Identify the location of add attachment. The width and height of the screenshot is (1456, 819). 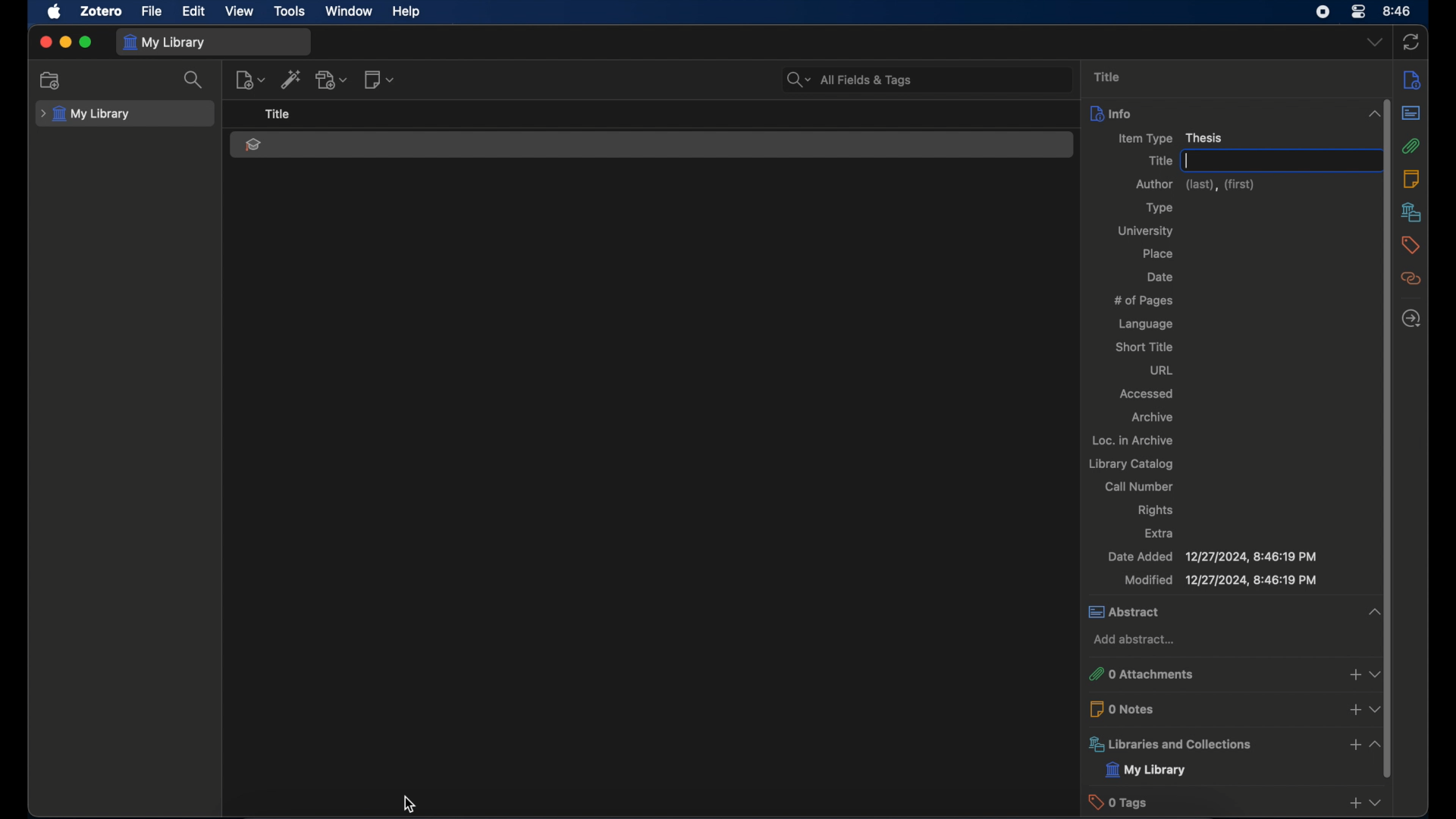
(333, 80).